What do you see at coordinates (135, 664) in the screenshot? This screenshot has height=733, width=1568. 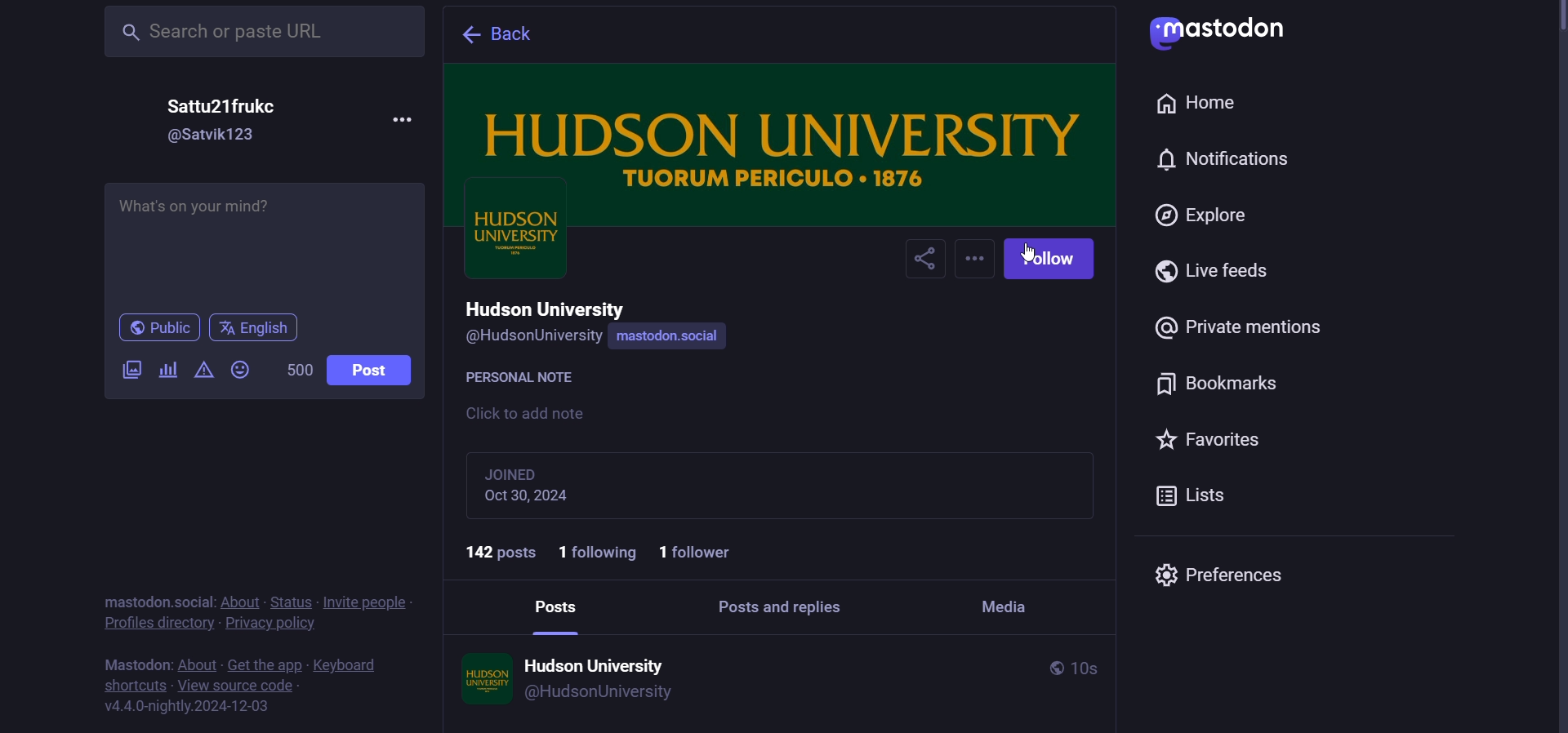 I see `mastodon` at bounding box center [135, 664].